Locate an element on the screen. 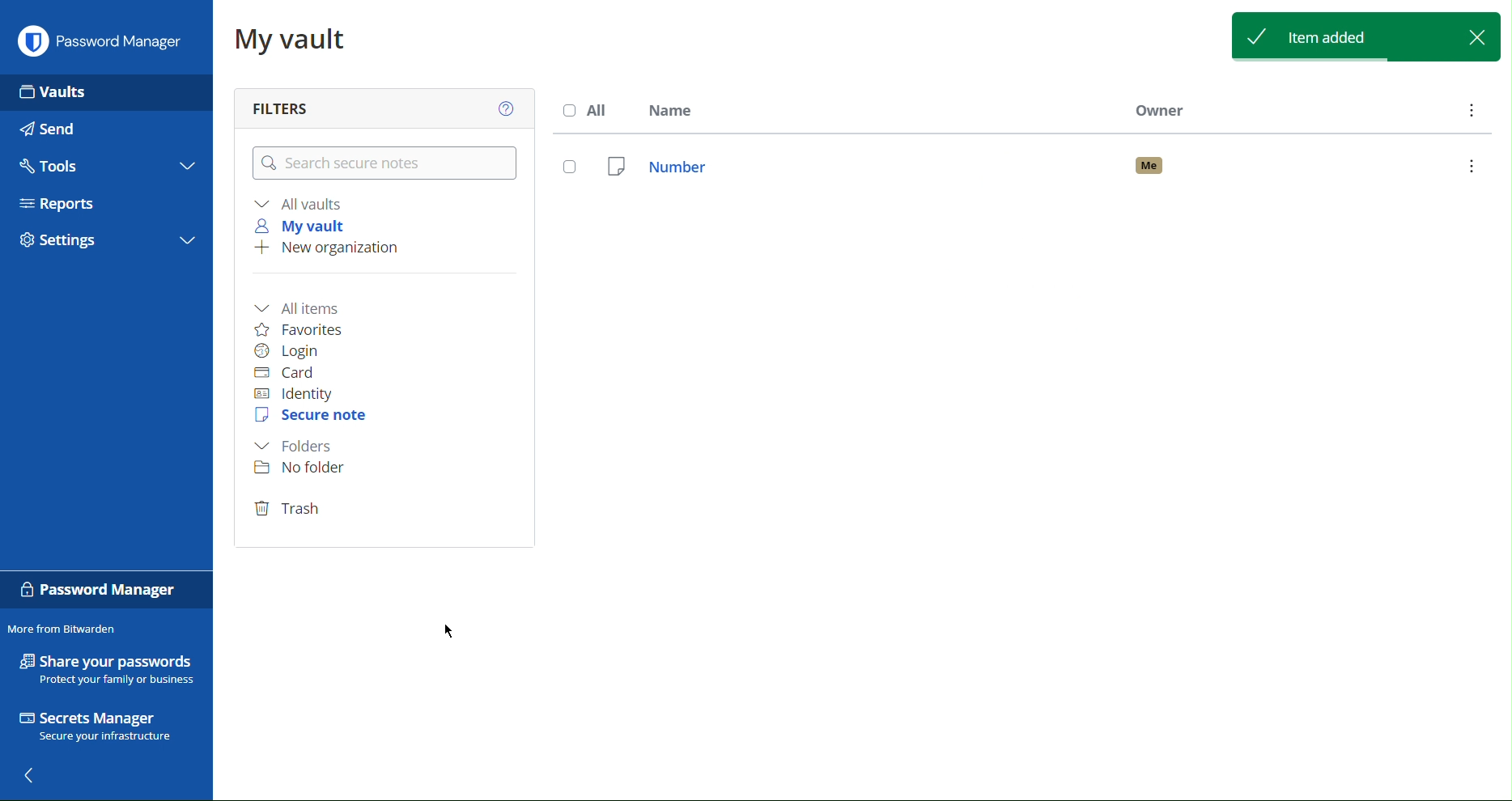 This screenshot has width=1512, height=801. Owner is located at coordinates (1159, 112).